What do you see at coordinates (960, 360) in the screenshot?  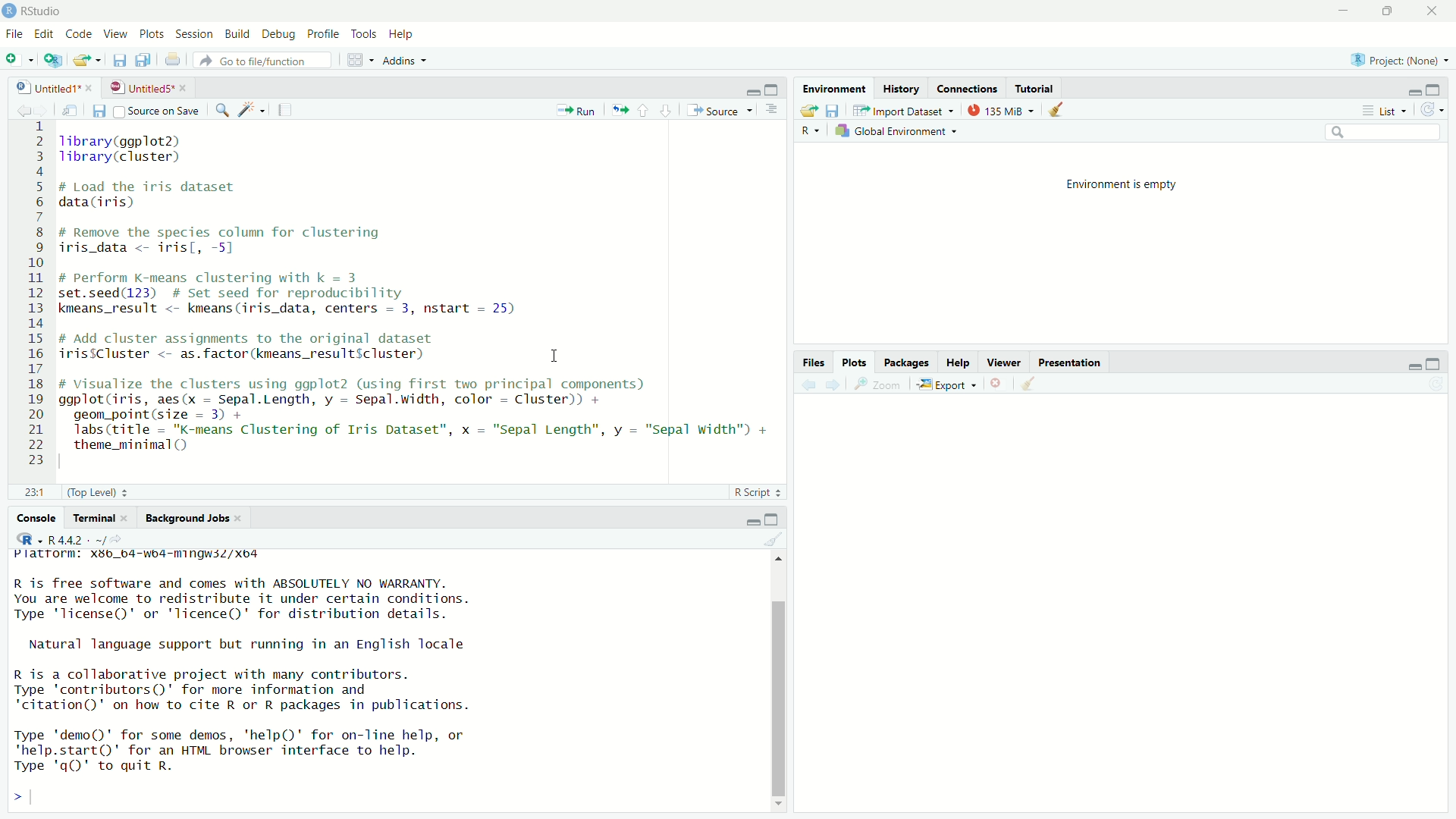 I see `help` at bounding box center [960, 360].